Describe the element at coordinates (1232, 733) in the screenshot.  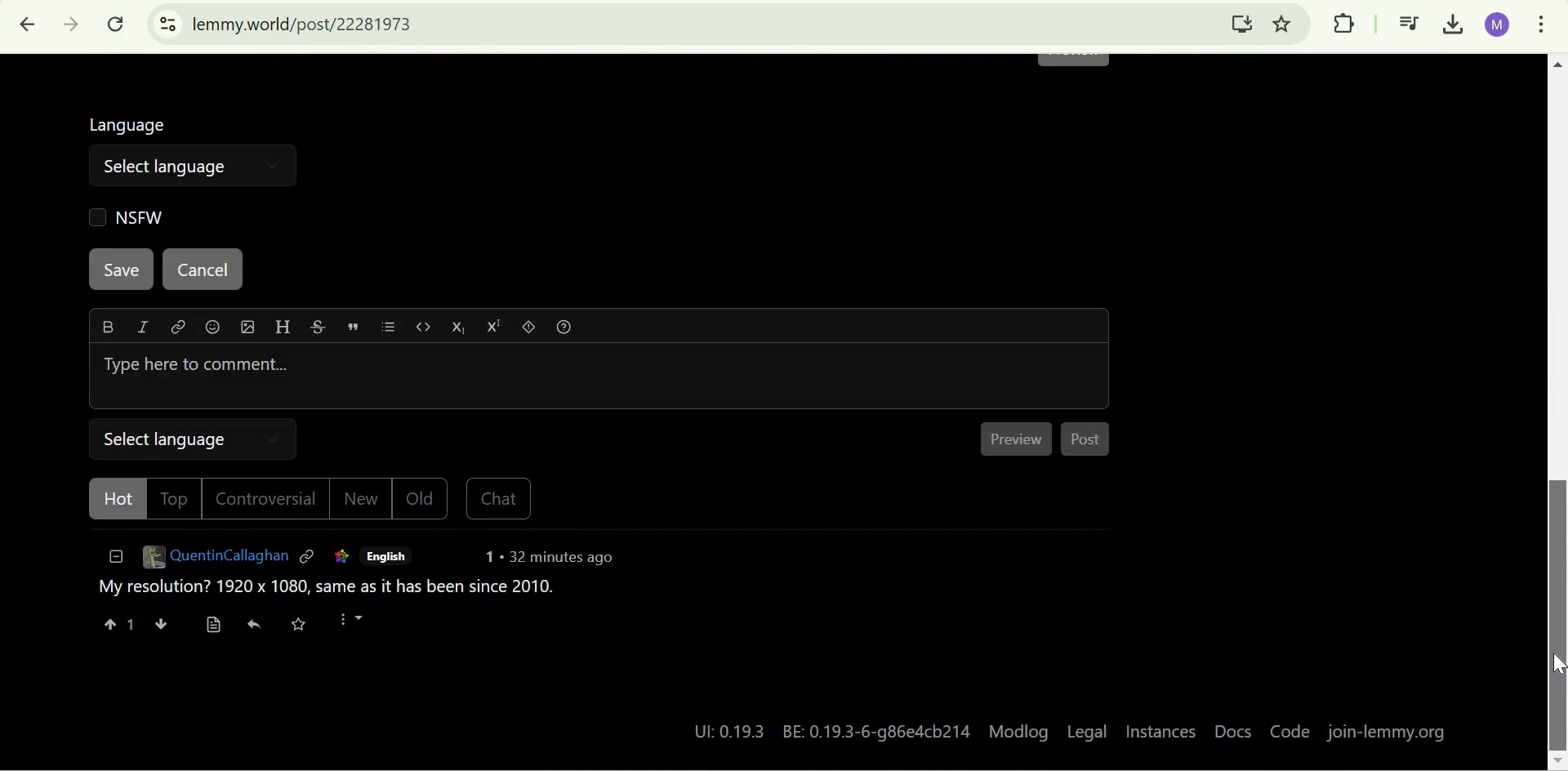
I see `Docs` at that location.